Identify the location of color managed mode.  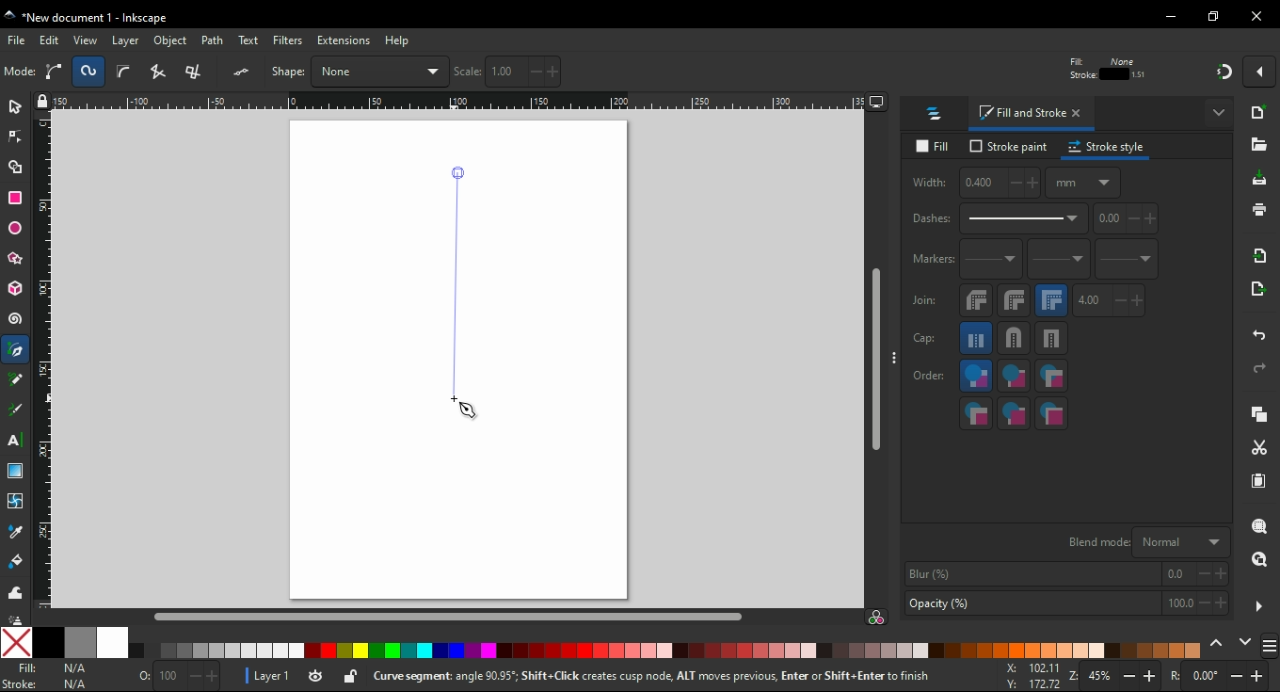
(876, 619).